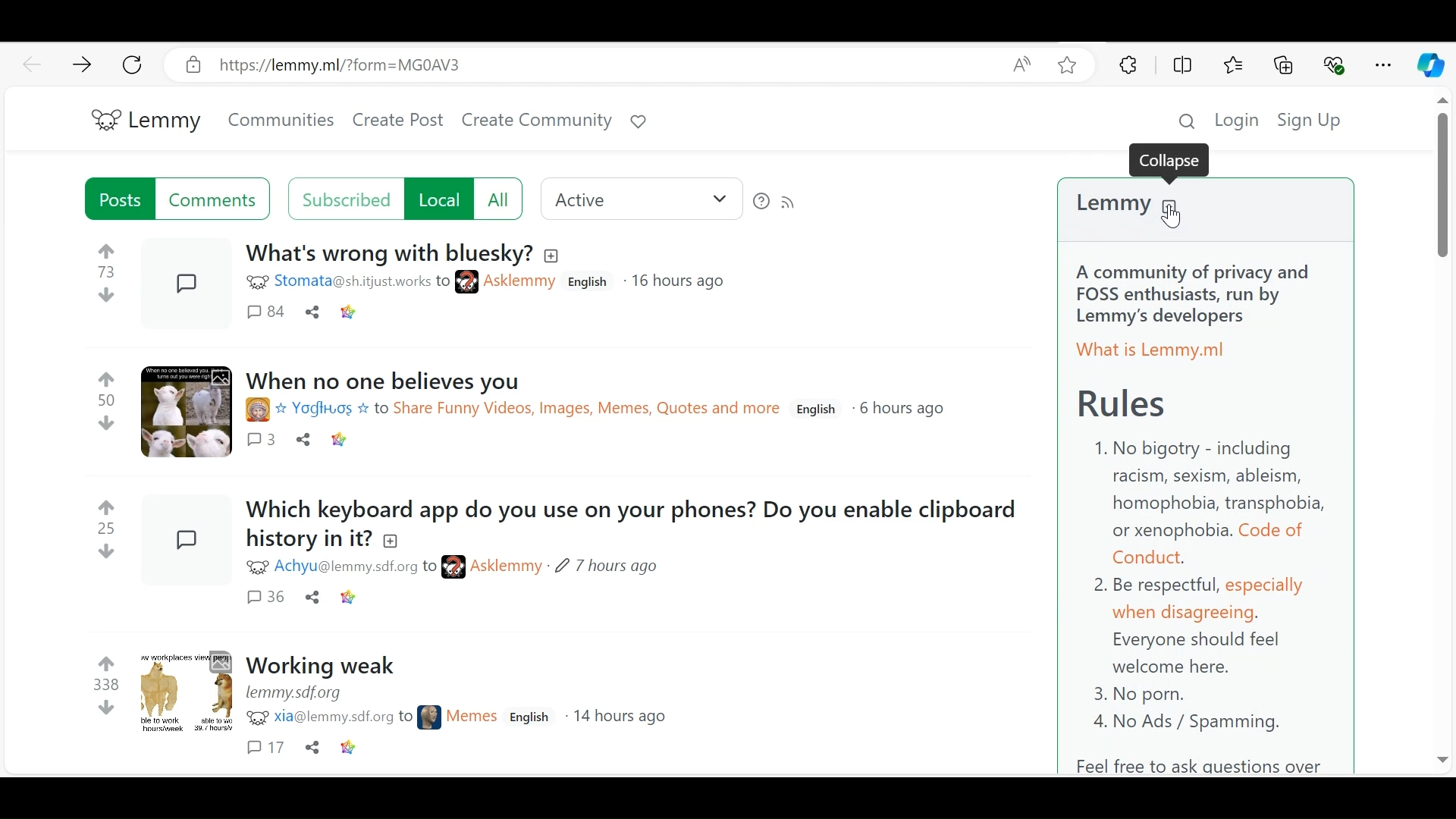  Describe the element at coordinates (607, 567) in the screenshot. I see `Time posted` at that location.